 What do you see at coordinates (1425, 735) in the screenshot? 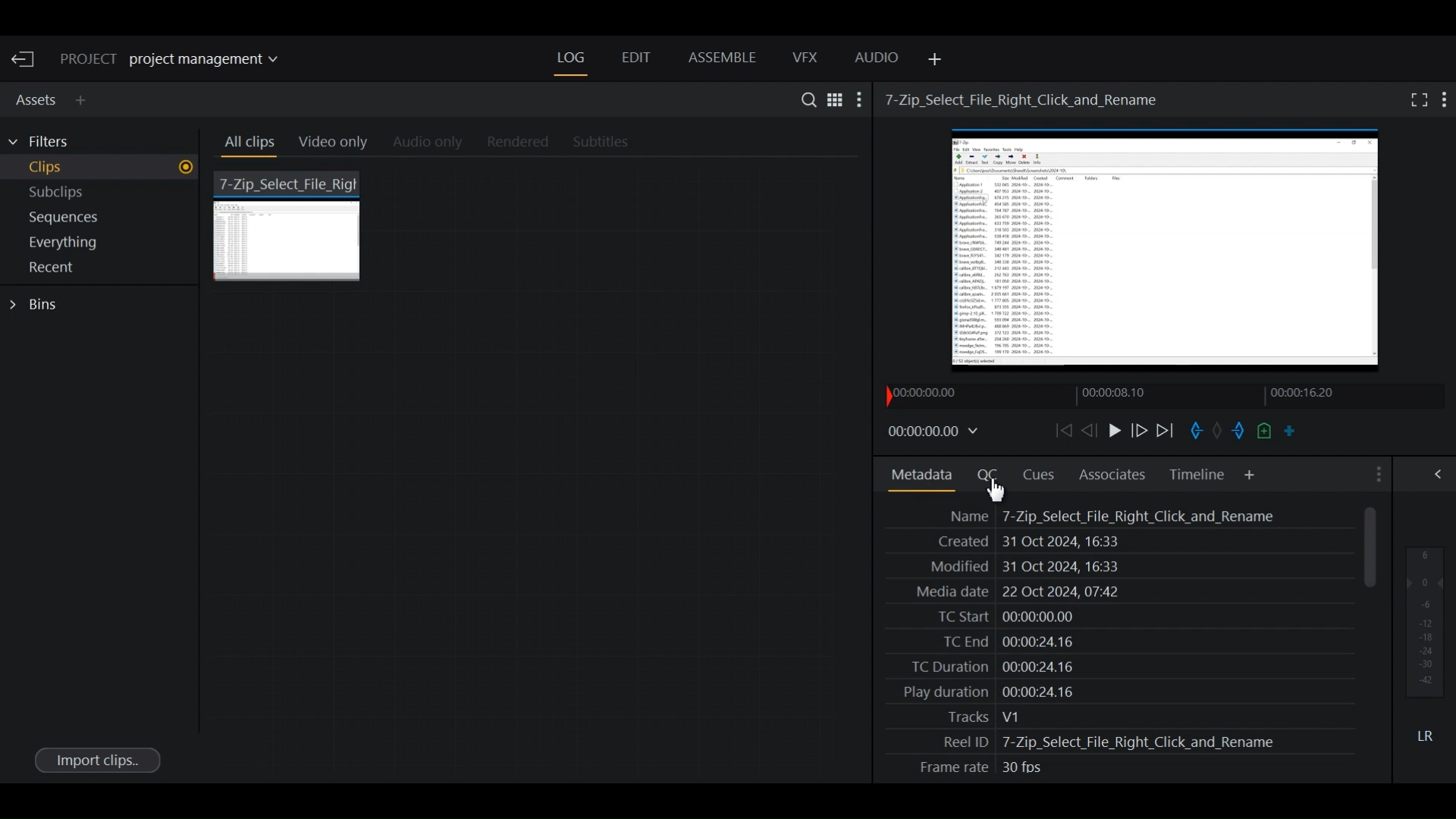
I see `Mute` at bounding box center [1425, 735].